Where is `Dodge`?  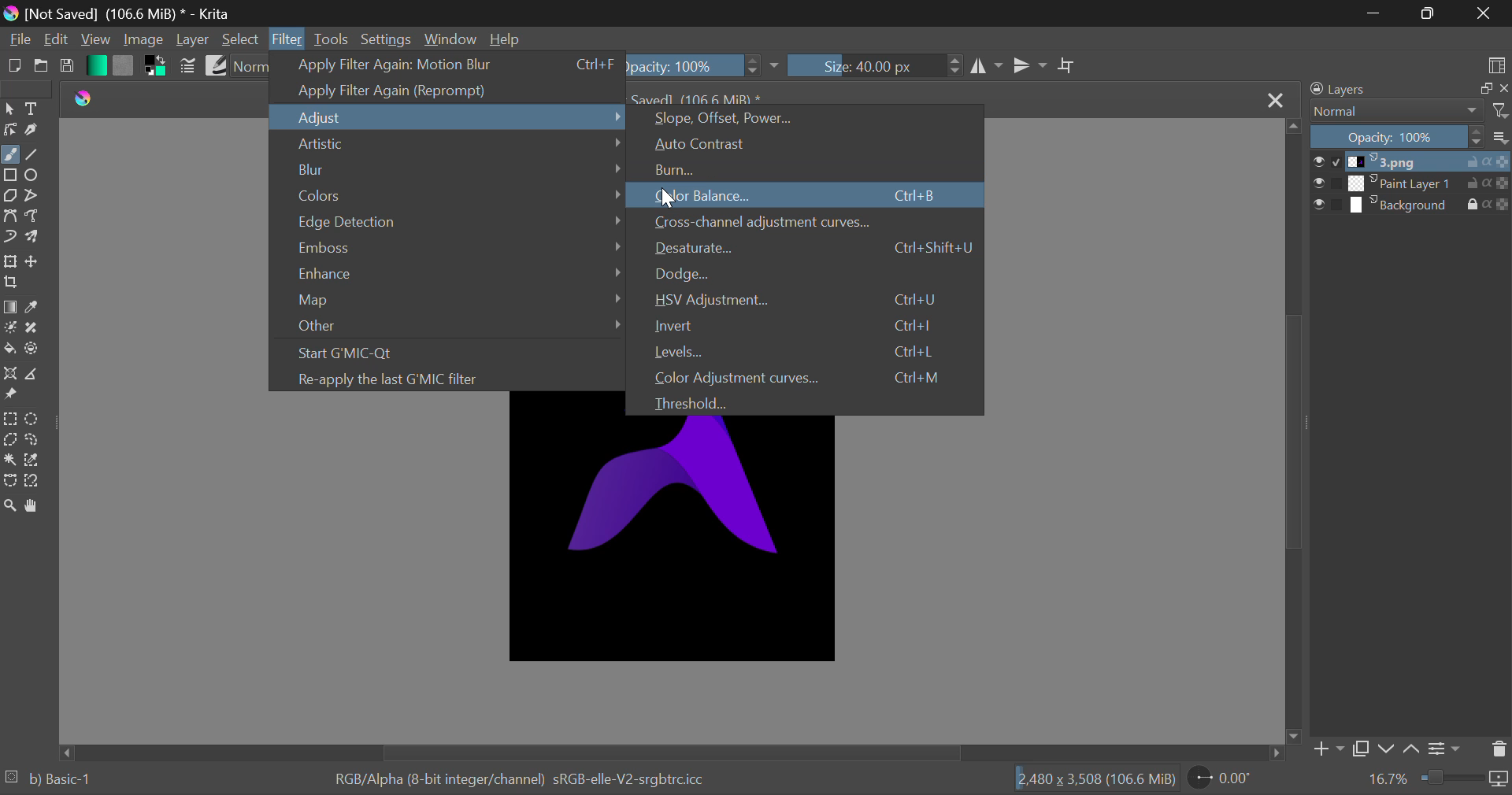
Dodge is located at coordinates (814, 275).